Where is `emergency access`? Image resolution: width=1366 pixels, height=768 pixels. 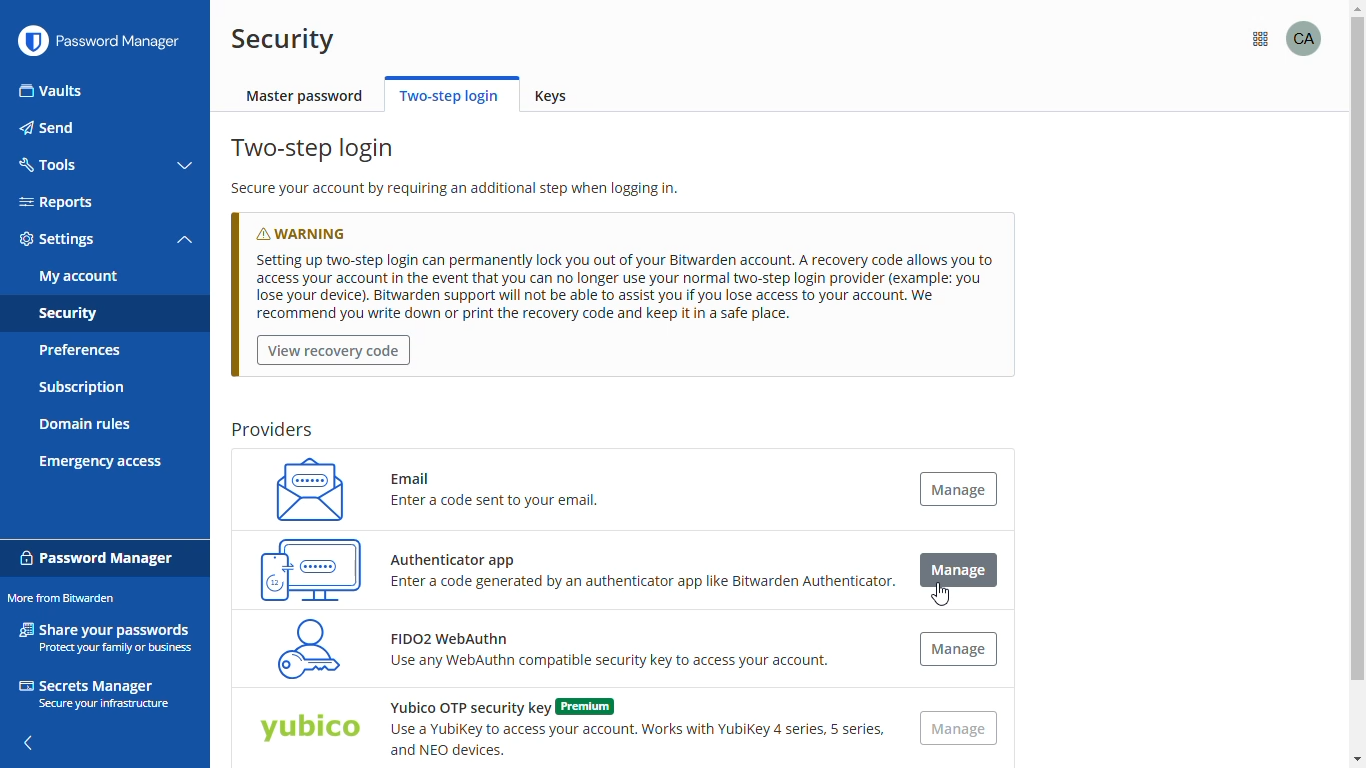 emergency access is located at coordinates (101, 462).